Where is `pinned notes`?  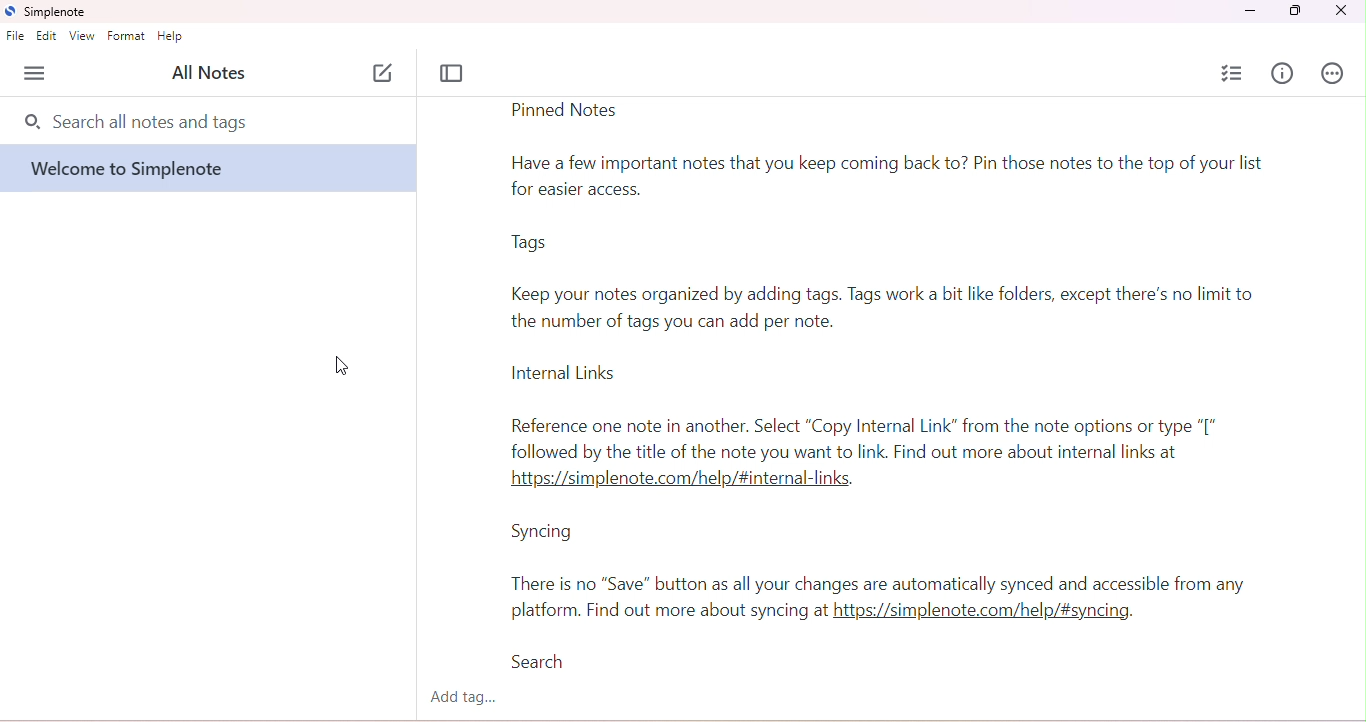 pinned notes is located at coordinates (564, 111).